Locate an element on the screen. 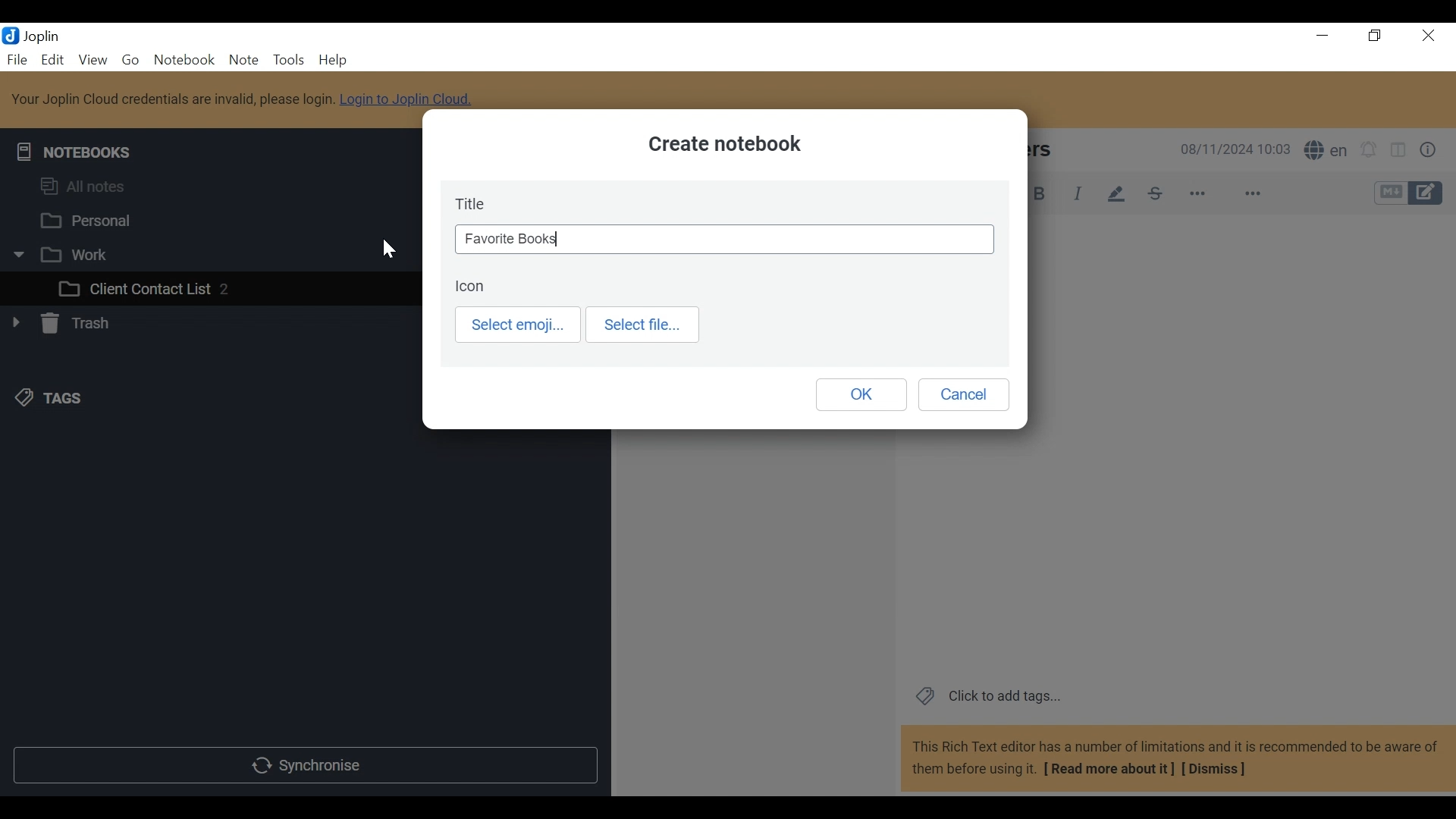 The height and width of the screenshot is (819, 1456). Cancel is located at coordinates (966, 394).